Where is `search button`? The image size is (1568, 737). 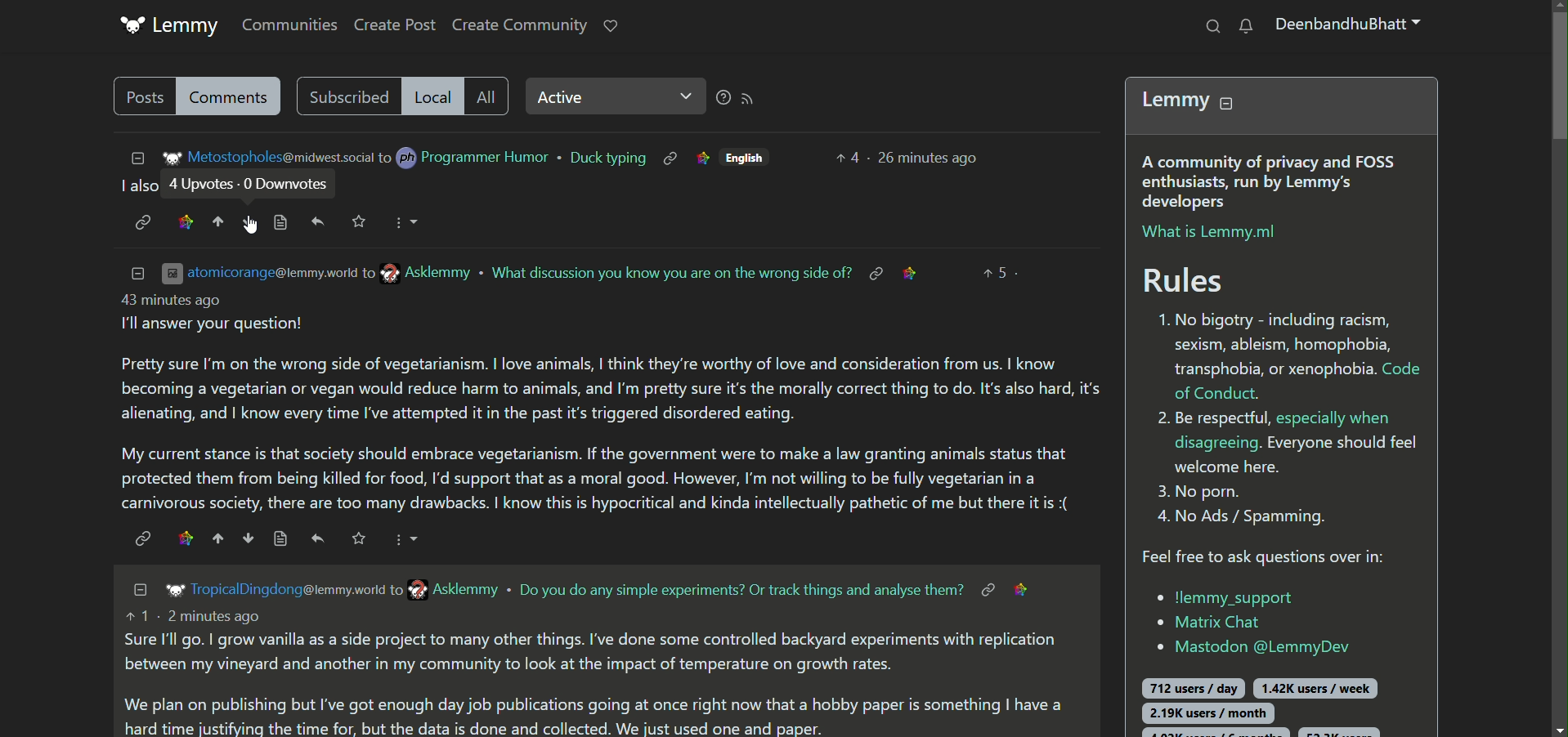
search button is located at coordinates (1211, 25).